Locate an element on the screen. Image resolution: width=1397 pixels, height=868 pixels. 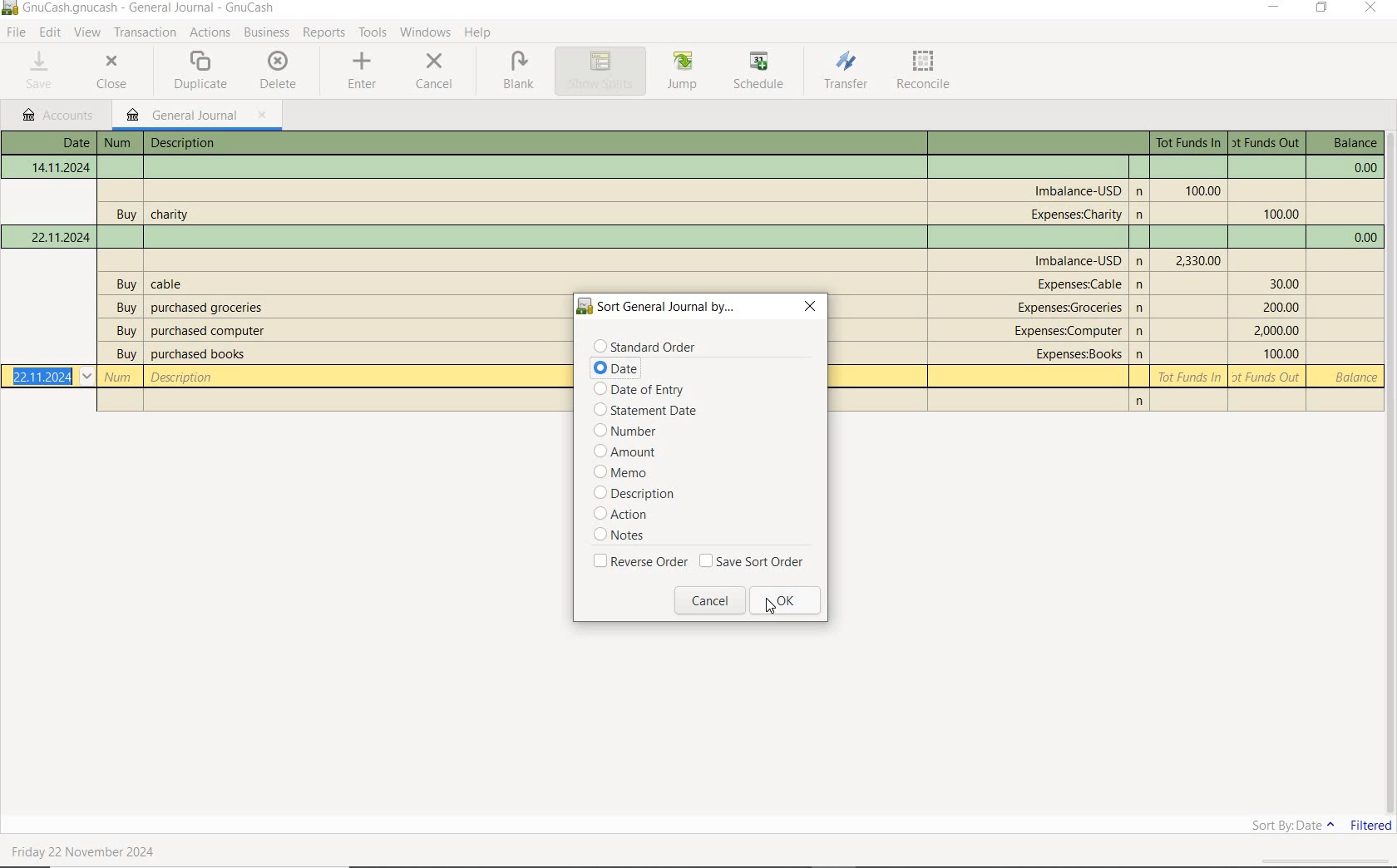
Tot Funds Out is located at coordinates (1268, 377).